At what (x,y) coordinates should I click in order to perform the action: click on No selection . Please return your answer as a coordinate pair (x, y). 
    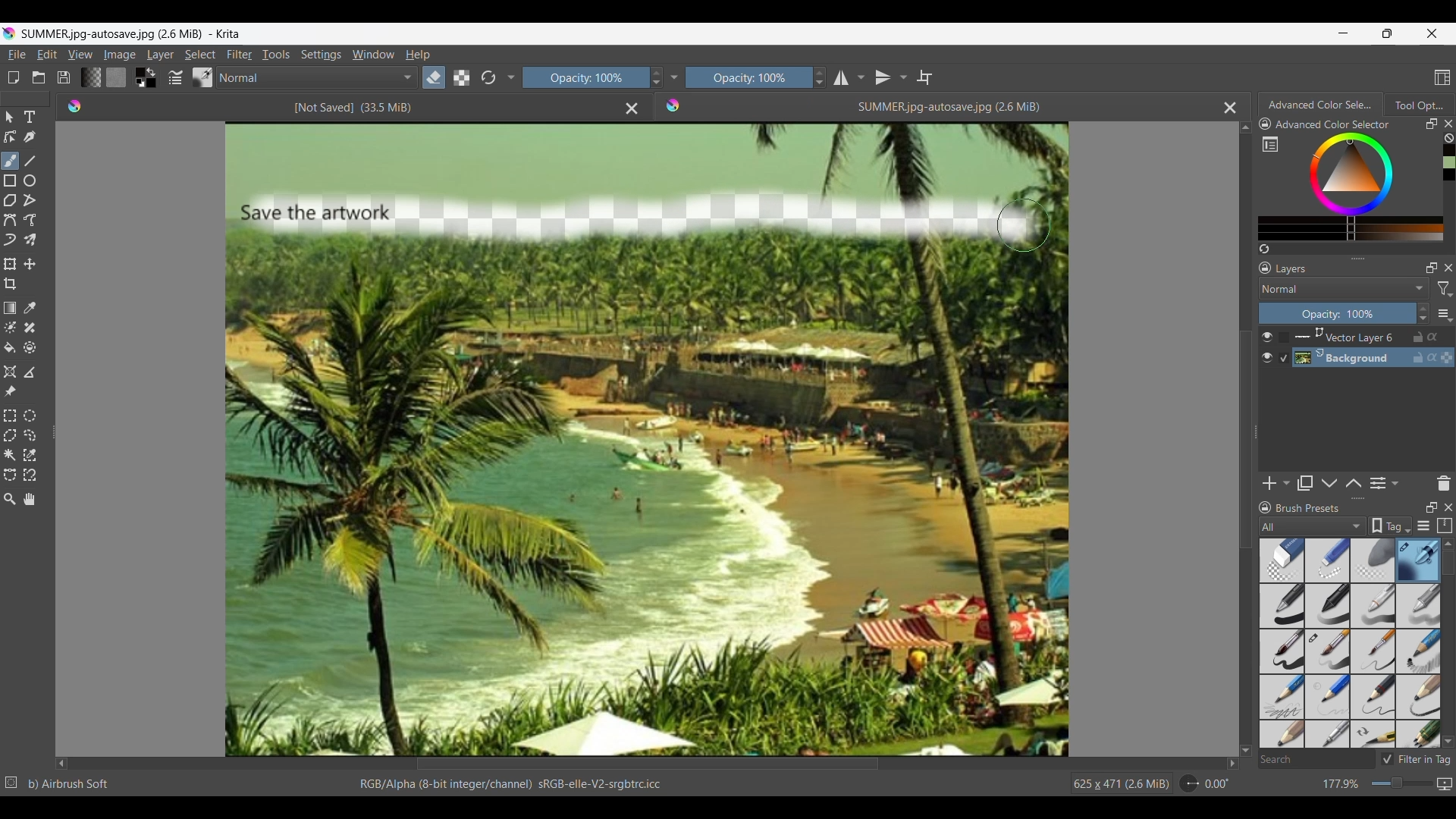
    Looking at the image, I should click on (11, 783).